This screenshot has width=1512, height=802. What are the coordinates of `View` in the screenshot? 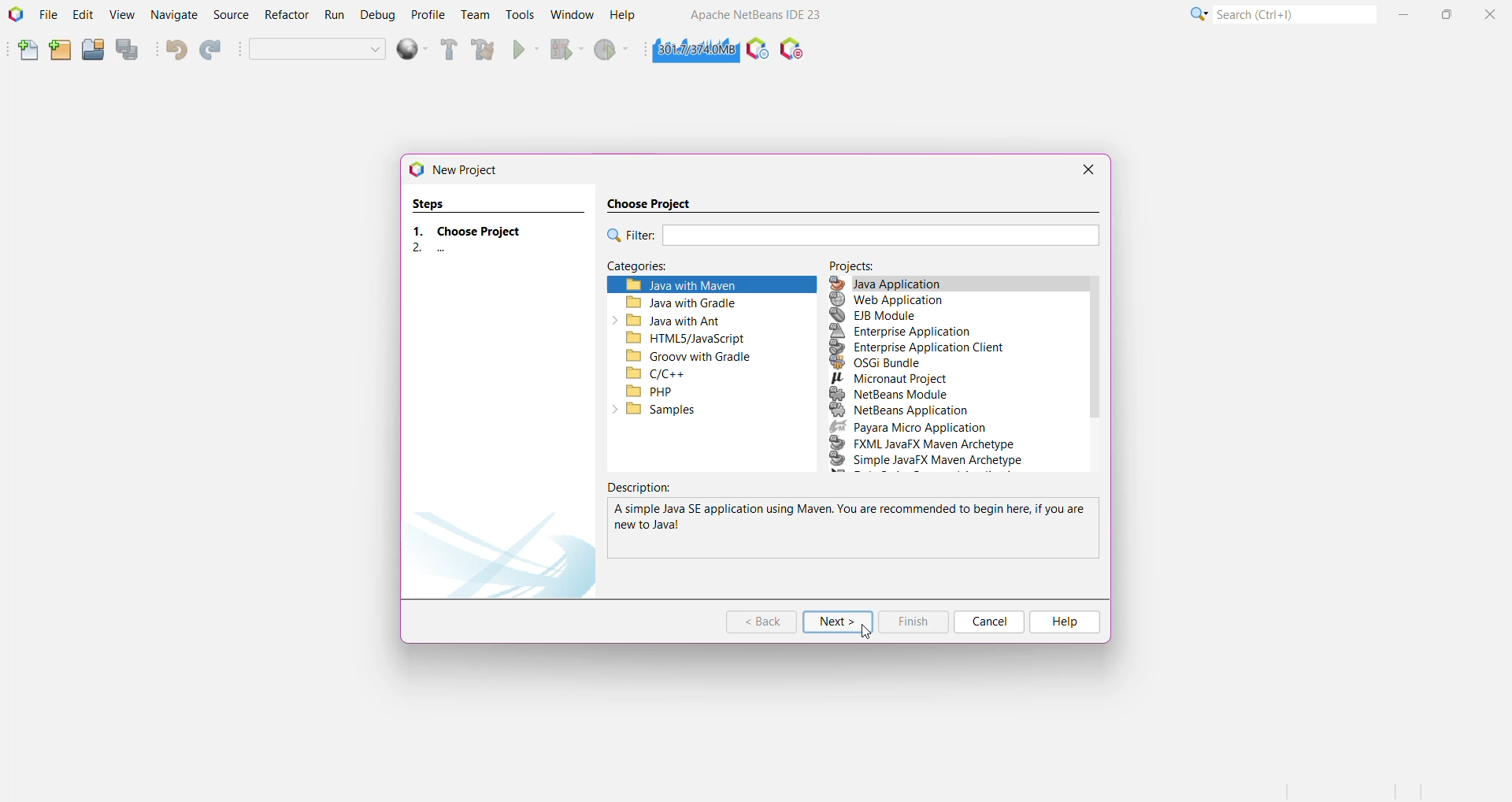 It's located at (122, 17).